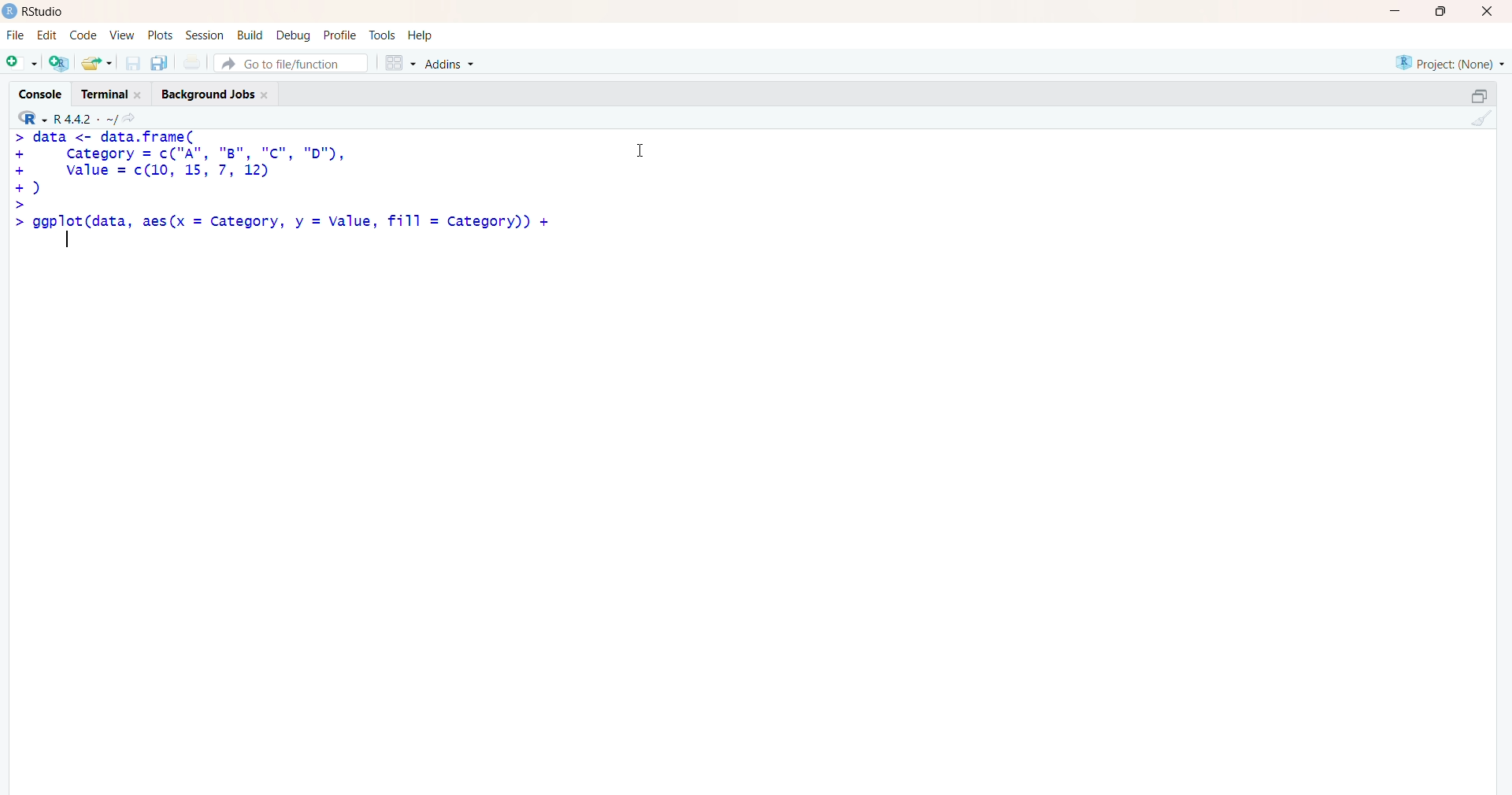 Image resolution: width=1512 pixels, height=795 pixels. I want to click on save all open documents, so click(158, 63).